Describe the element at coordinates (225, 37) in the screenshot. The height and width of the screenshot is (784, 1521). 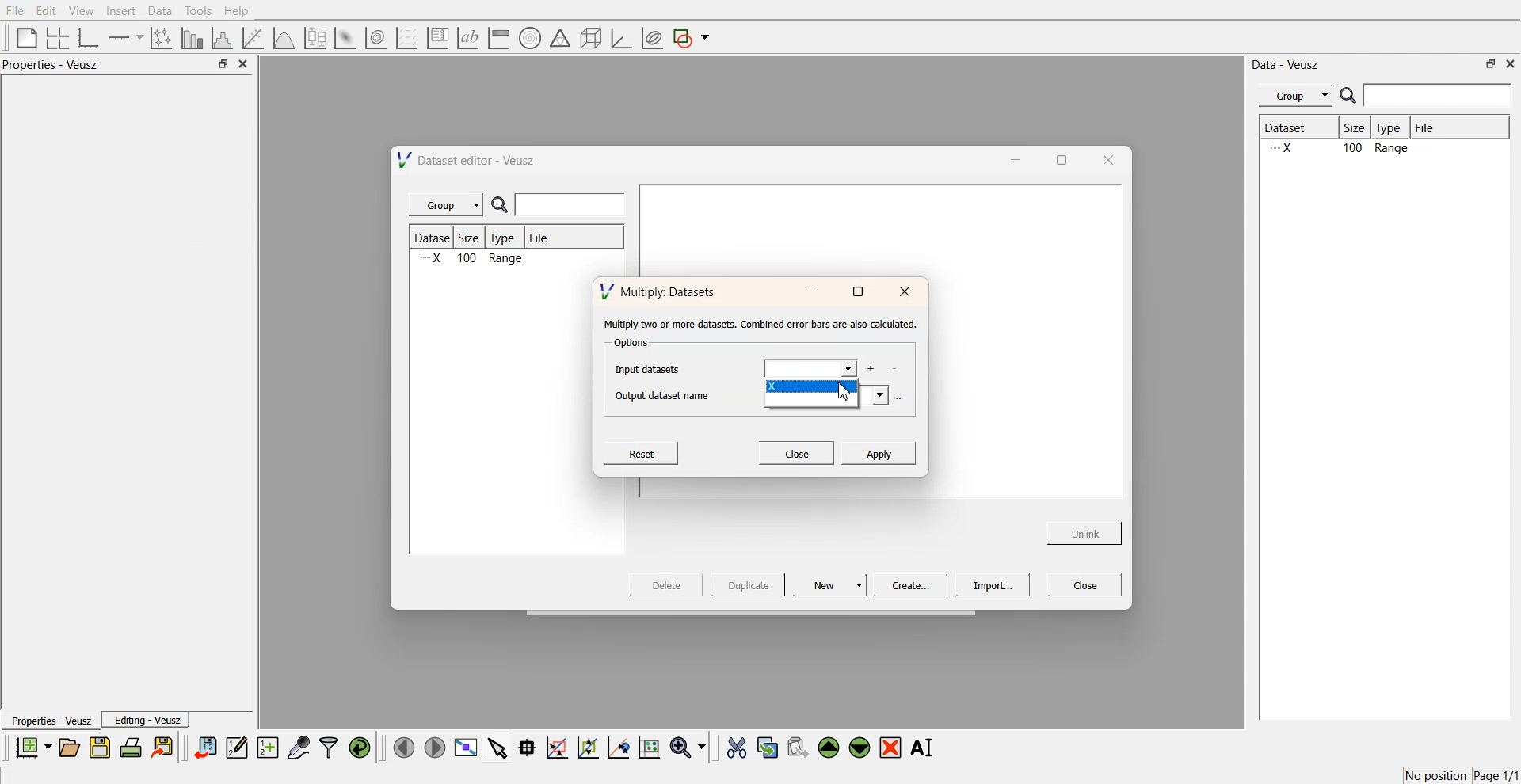
I see `histogram` at that location.